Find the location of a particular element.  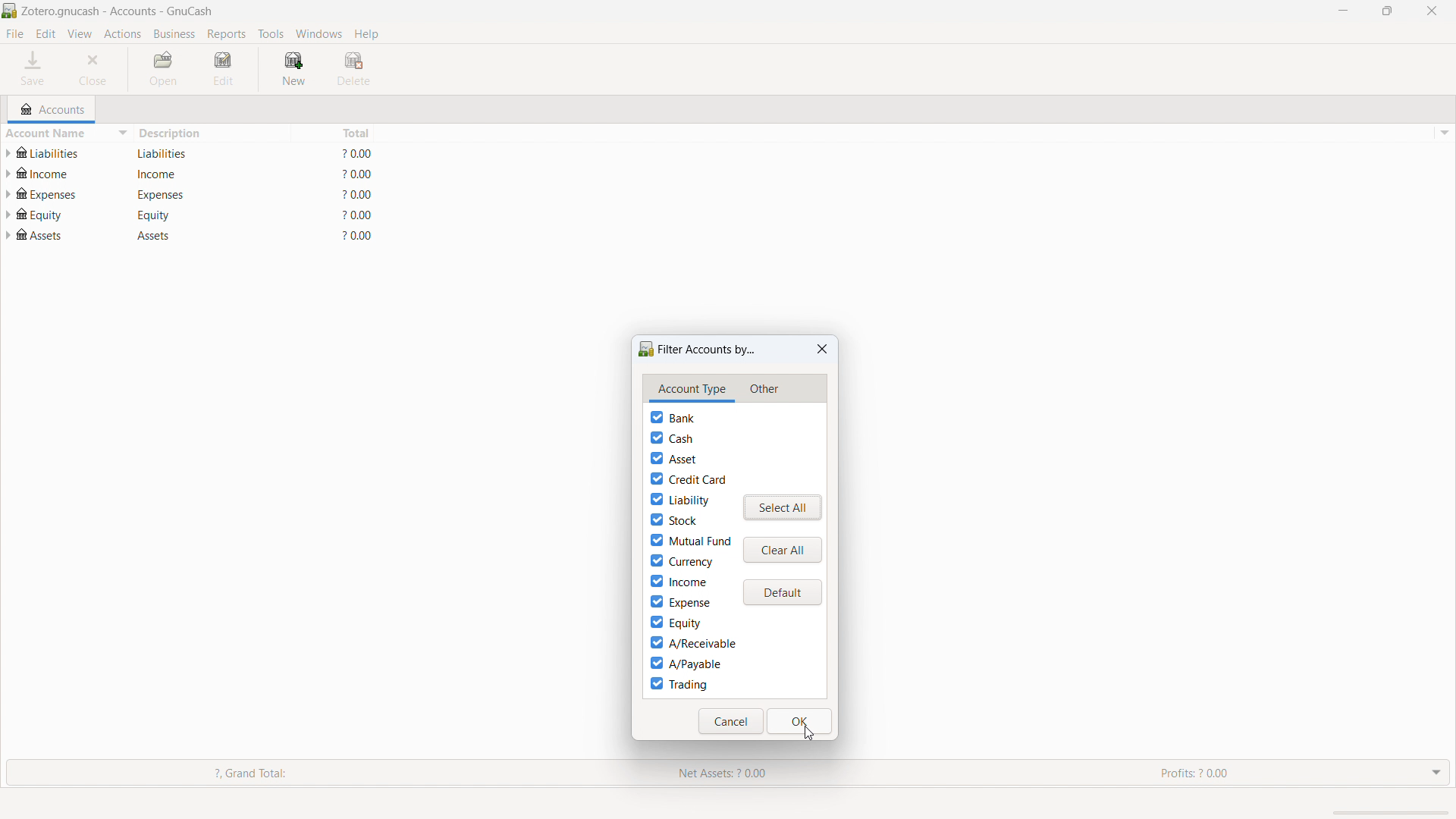

sort by account name is located at coordinates (64, 133).